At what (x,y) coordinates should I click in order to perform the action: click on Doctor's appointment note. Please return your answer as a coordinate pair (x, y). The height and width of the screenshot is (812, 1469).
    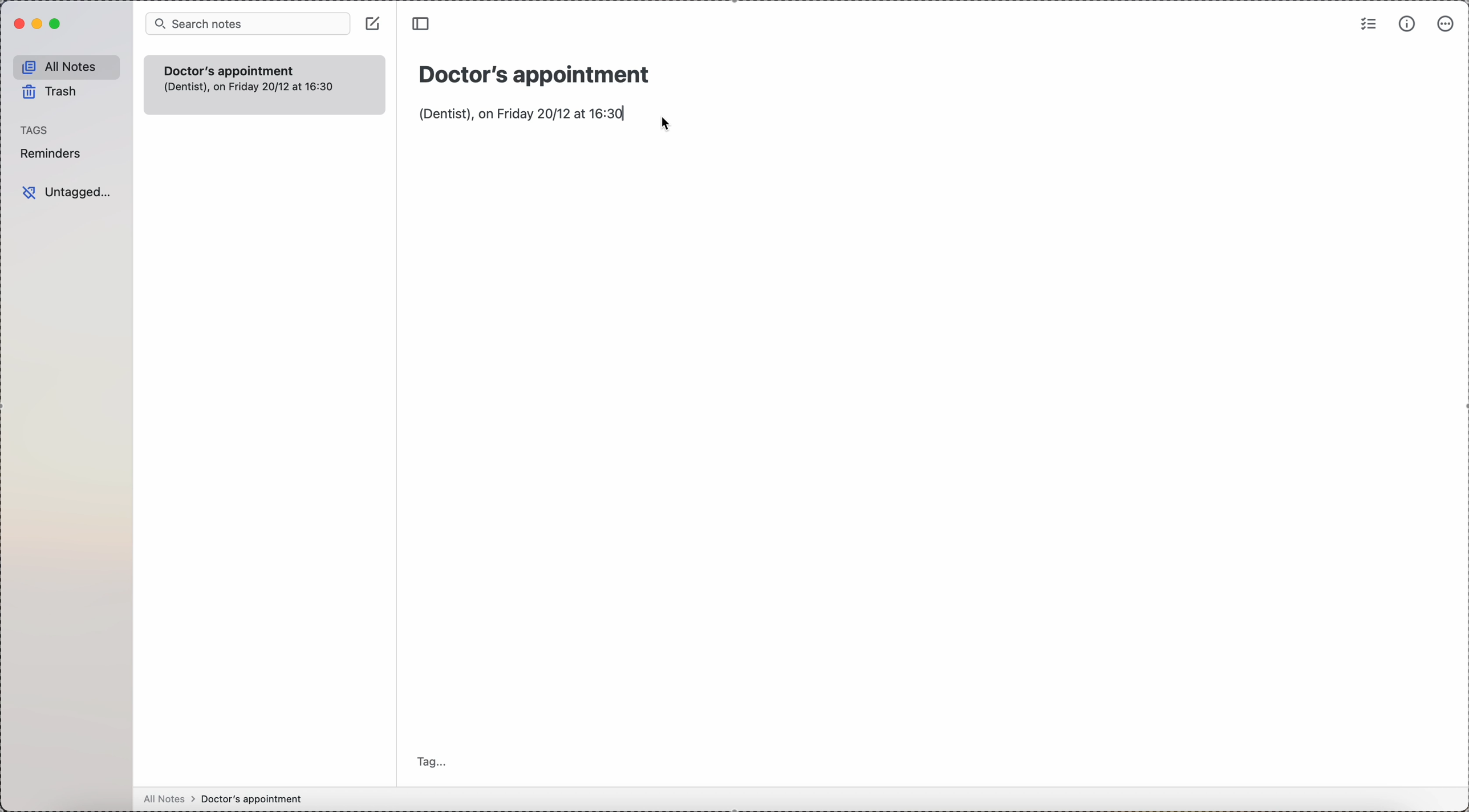
    Looking at the image, I should click on (263, 84).